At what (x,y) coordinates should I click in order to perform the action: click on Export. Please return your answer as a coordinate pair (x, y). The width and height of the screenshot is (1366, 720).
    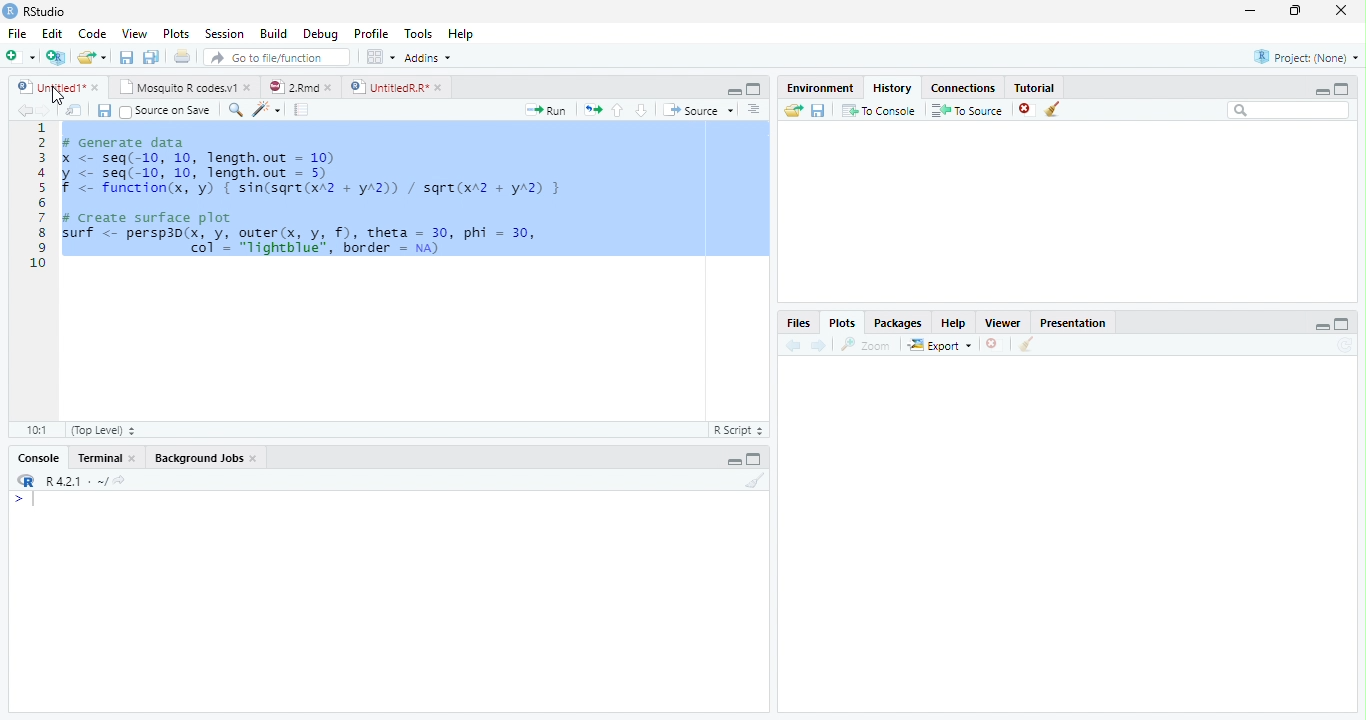
    Looking at the image, I should click on (940, 345).